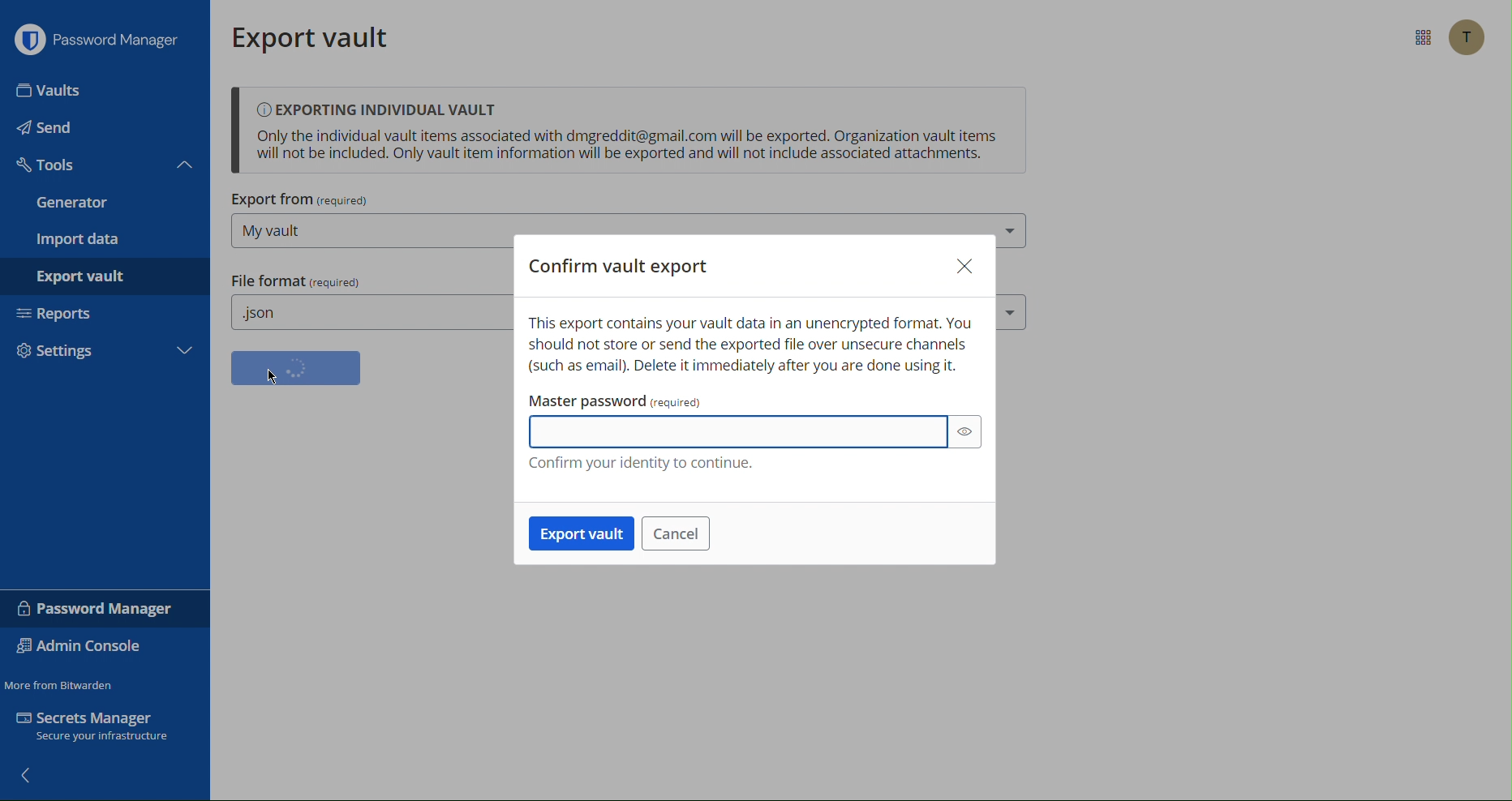 The width and height of the screenshot is (1512, 801). I want to click on More , so click(184, 349).